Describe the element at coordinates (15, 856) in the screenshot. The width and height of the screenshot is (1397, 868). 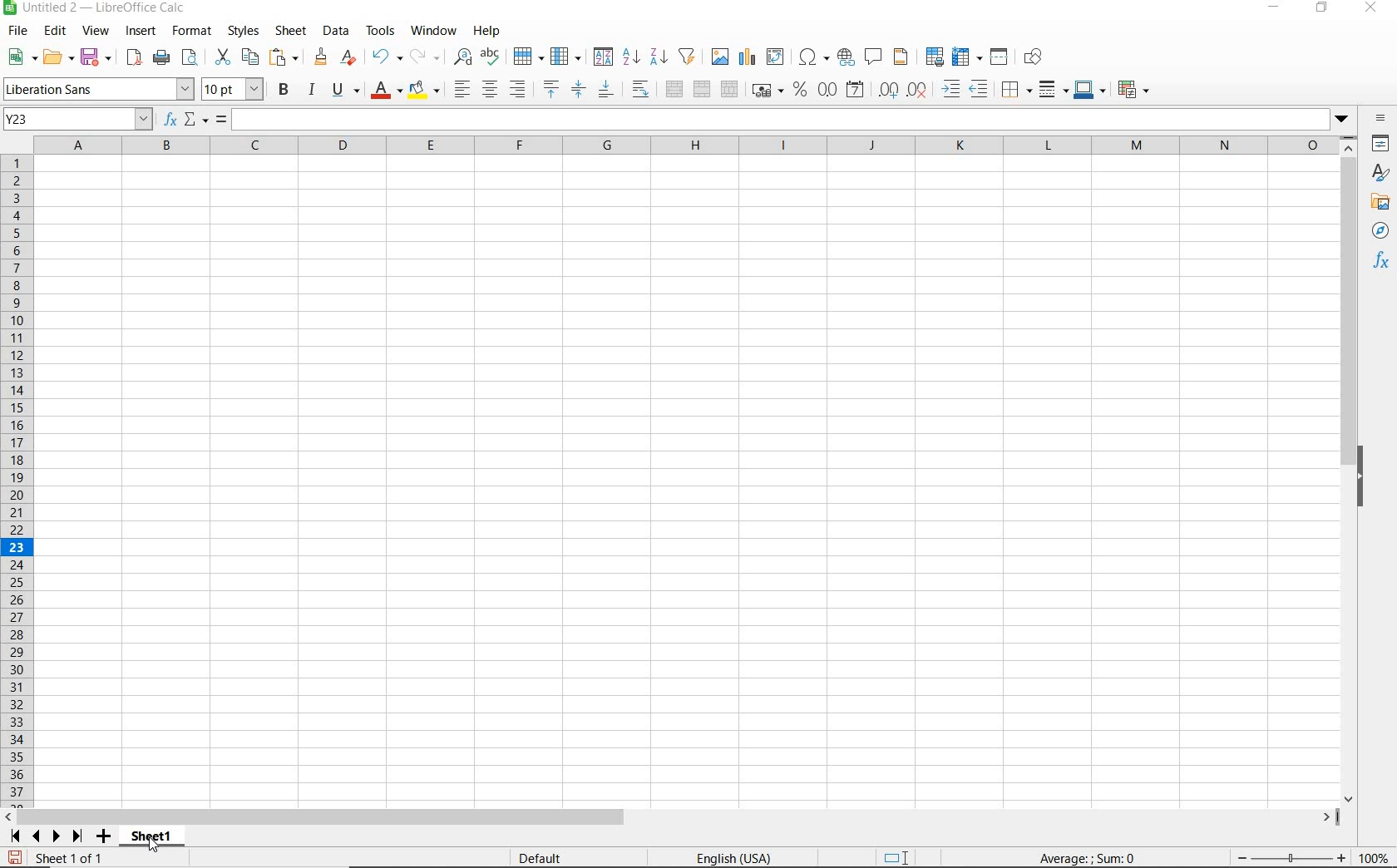
I see `SAVE` at that location.